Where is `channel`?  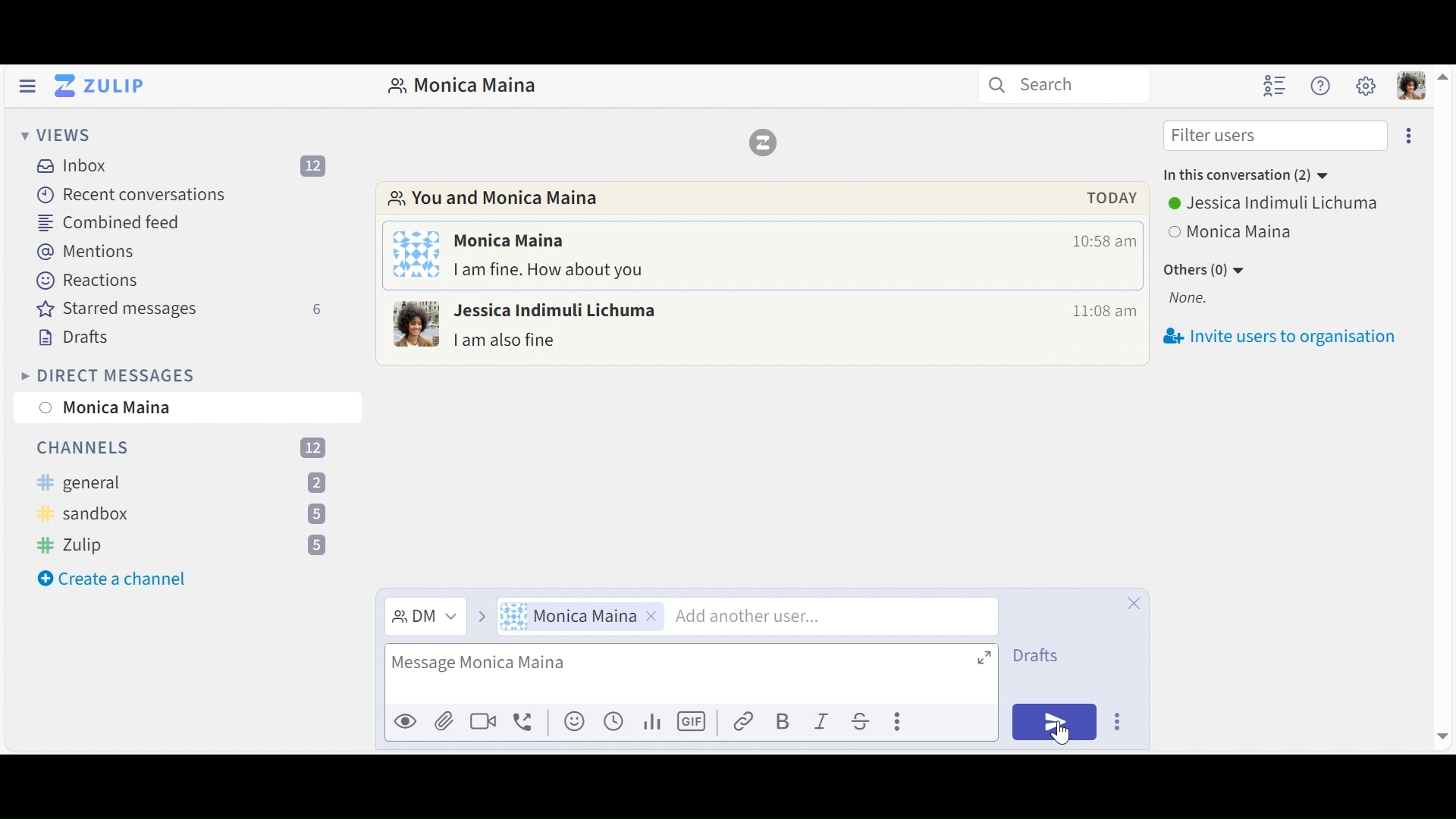 channel is located at coordinates (184, 513).